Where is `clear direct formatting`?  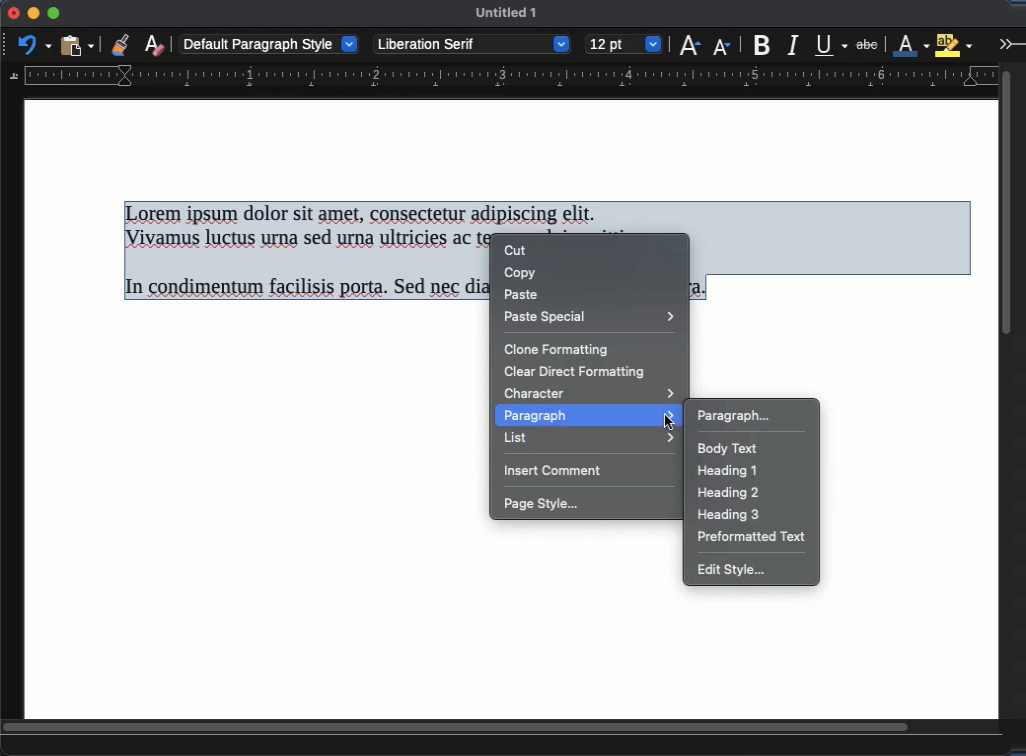 clear direct formatting is located at coordinates (575, 372).